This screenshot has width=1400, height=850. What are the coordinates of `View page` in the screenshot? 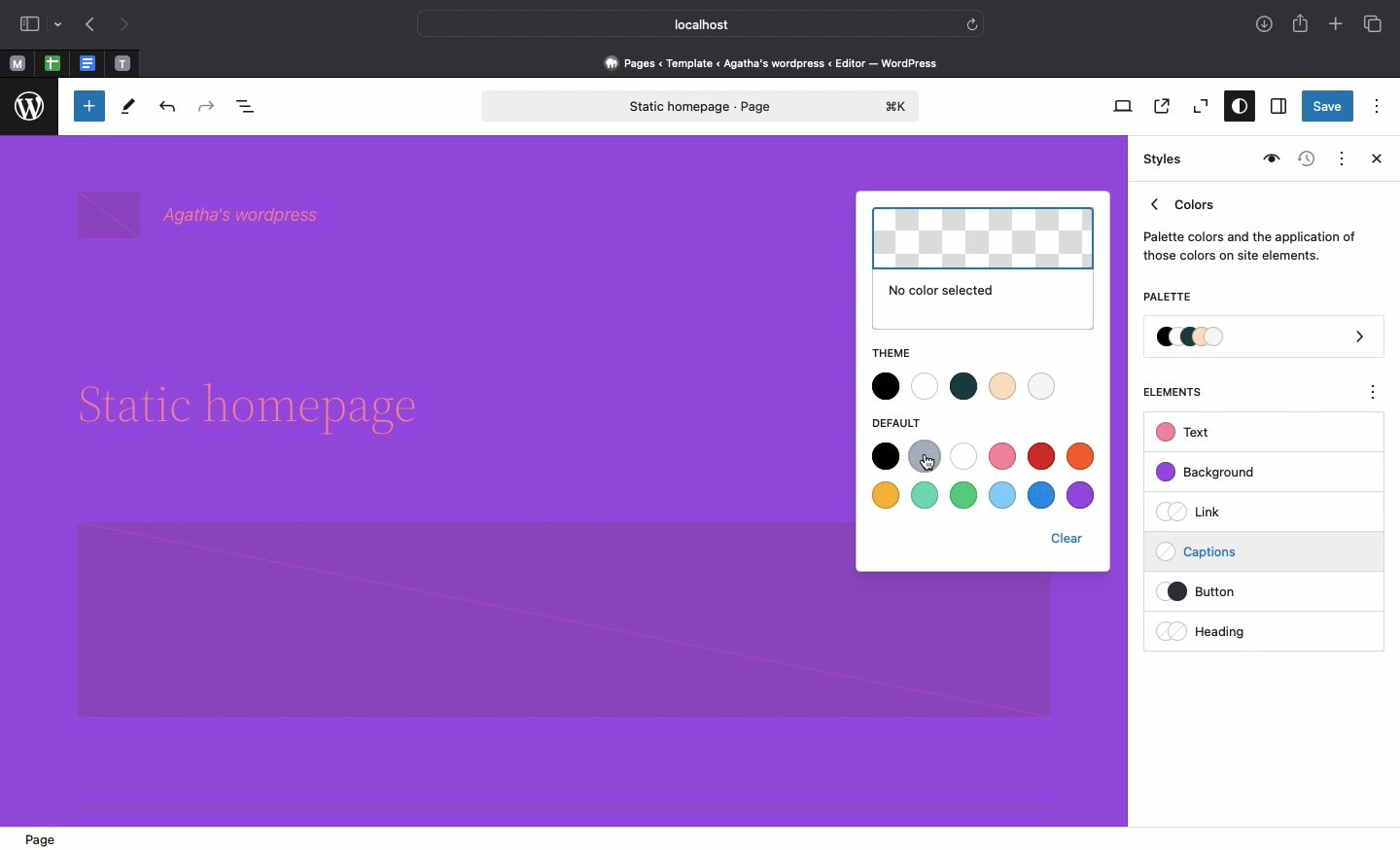 It's located at (1160, 106).